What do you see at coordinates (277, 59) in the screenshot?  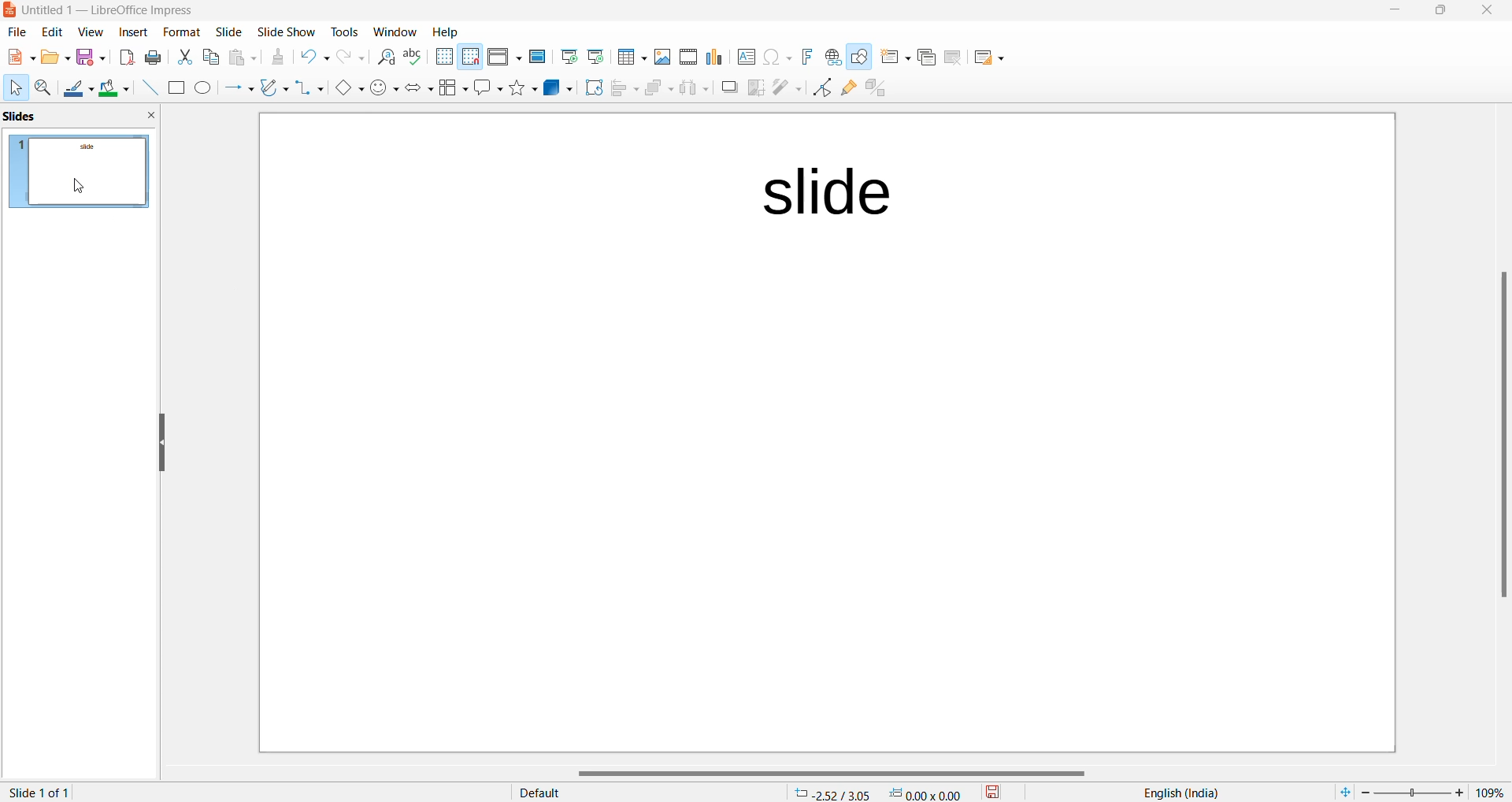 I see `clone formatting` at bounding box center [277, 59].